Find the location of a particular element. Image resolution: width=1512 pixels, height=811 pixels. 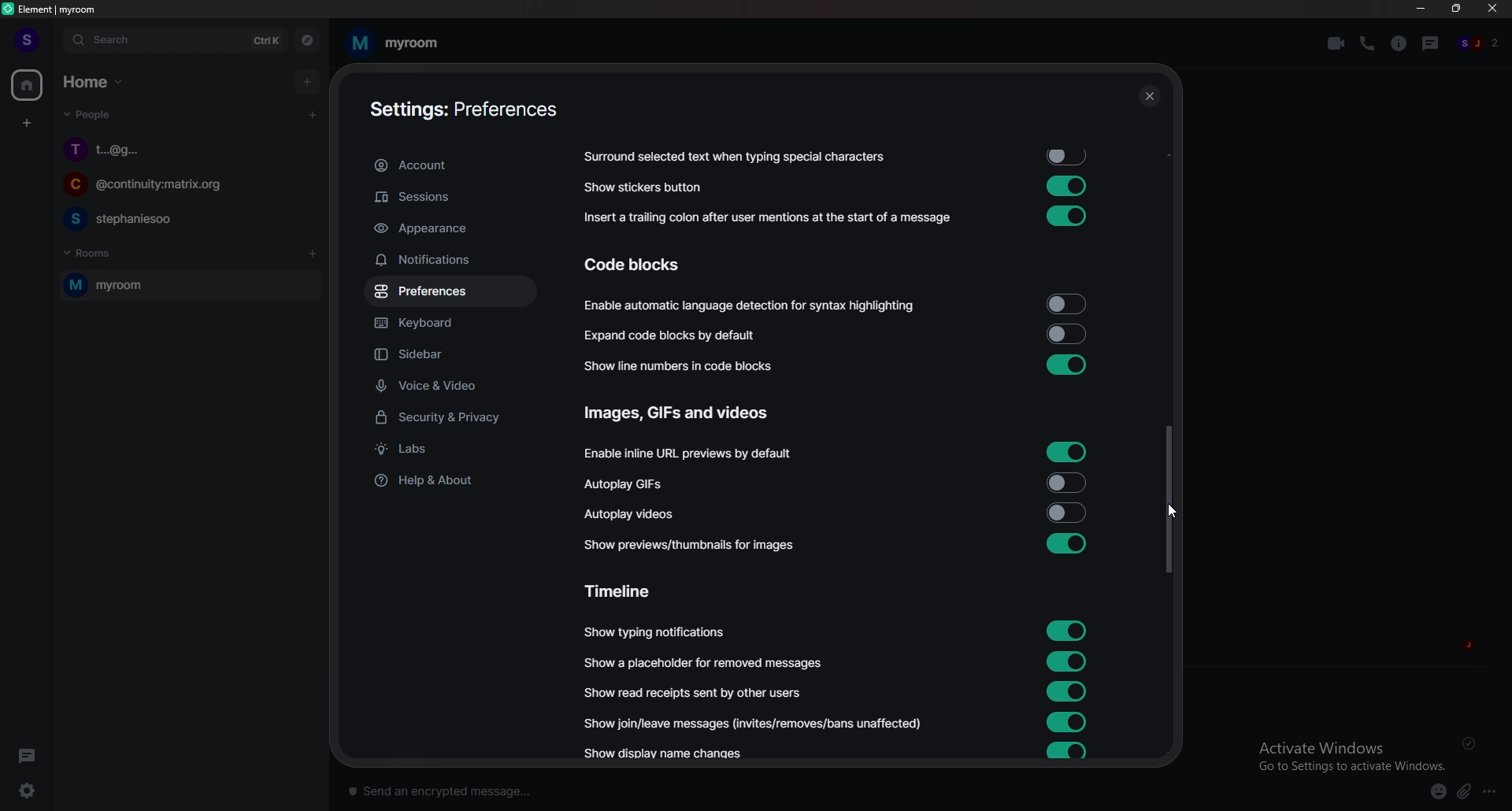

sidebar is located at coordinates (455, 356).